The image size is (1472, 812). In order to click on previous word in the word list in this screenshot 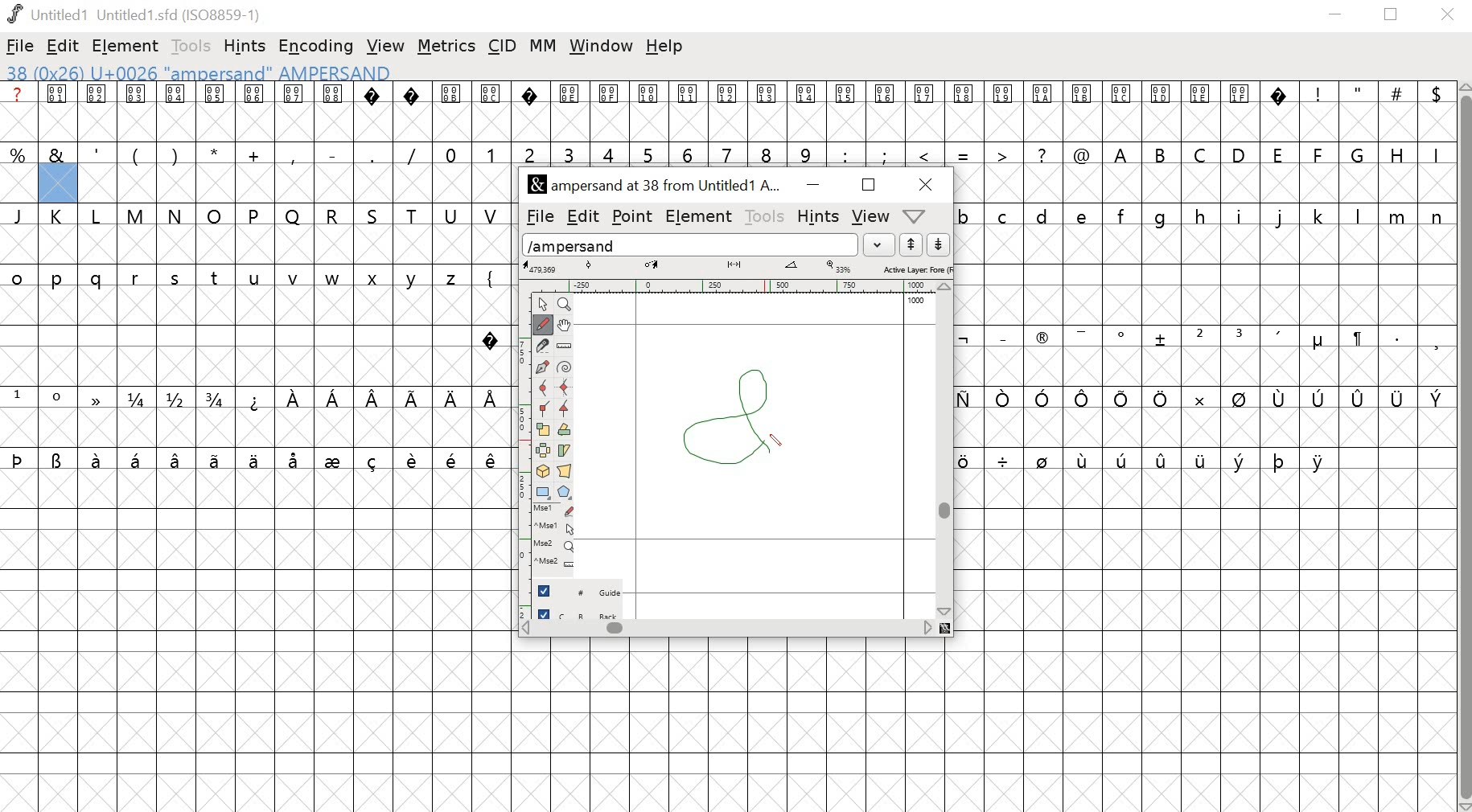, I will do `click(911, 245)`.